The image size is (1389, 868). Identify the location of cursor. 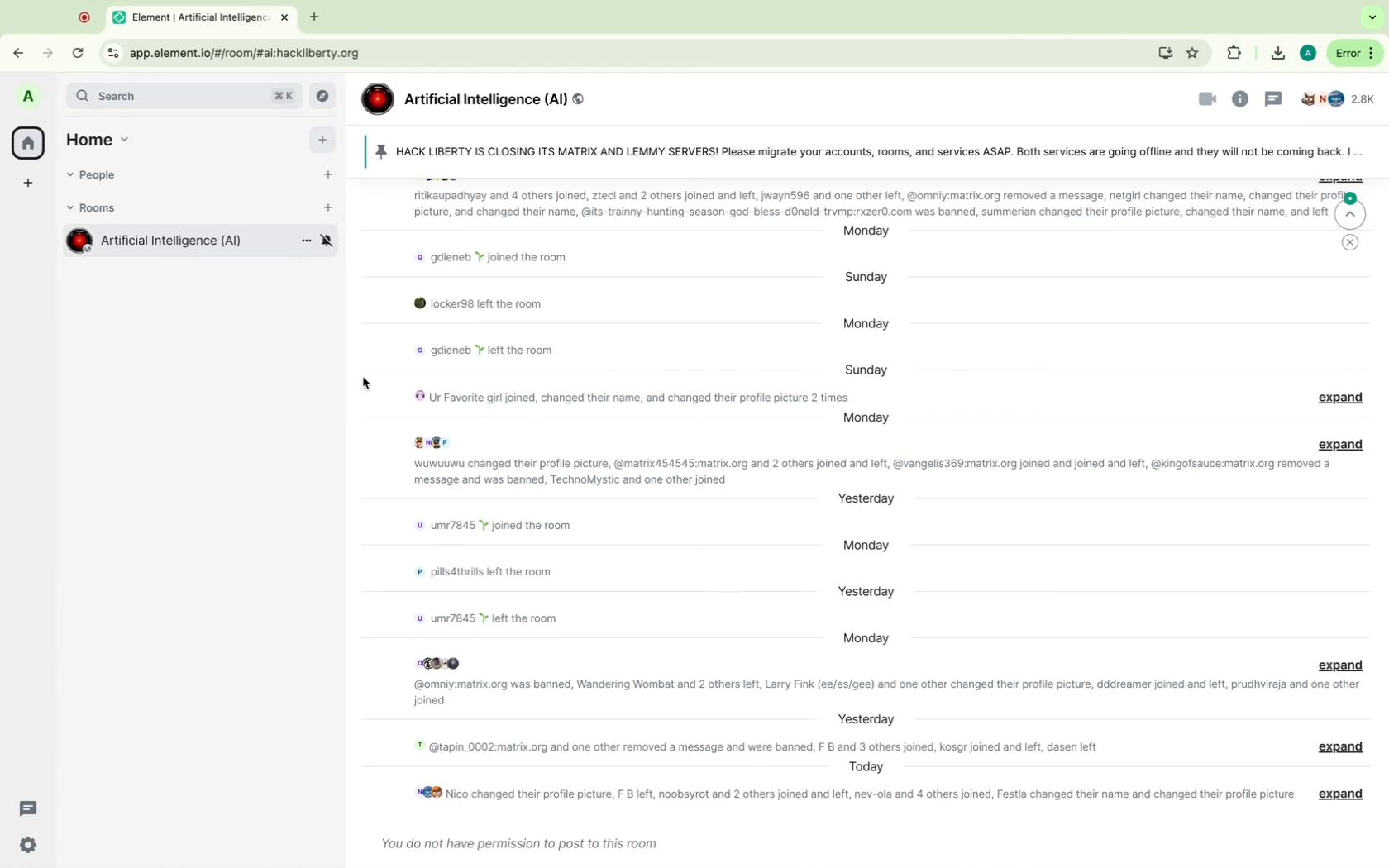
(366, 384).